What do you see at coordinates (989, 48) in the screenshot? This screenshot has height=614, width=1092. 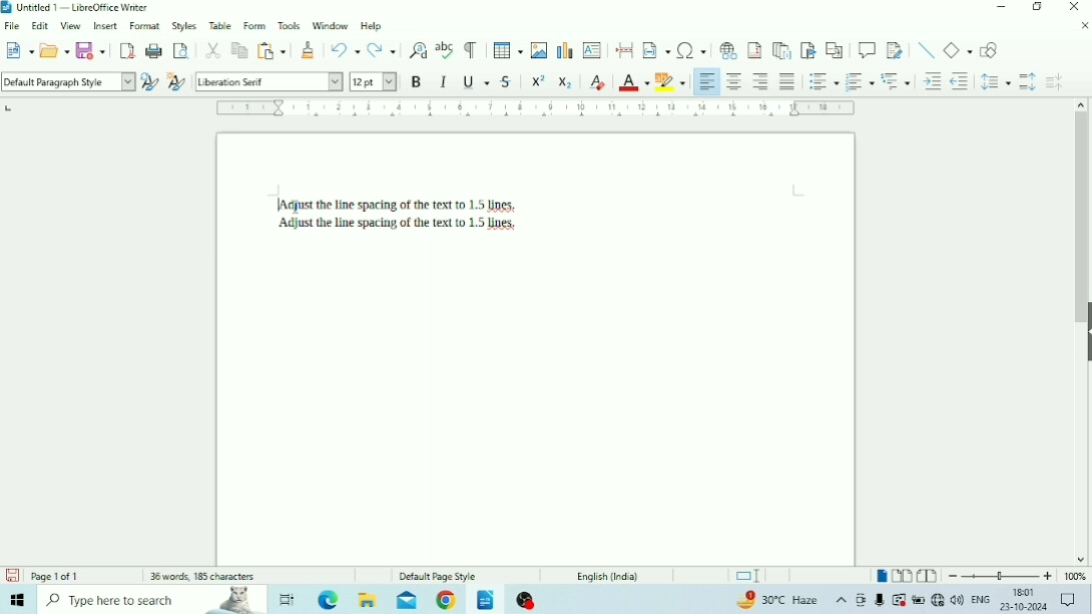 I see `Show Draw Functions` at bounding box center [989, 48].